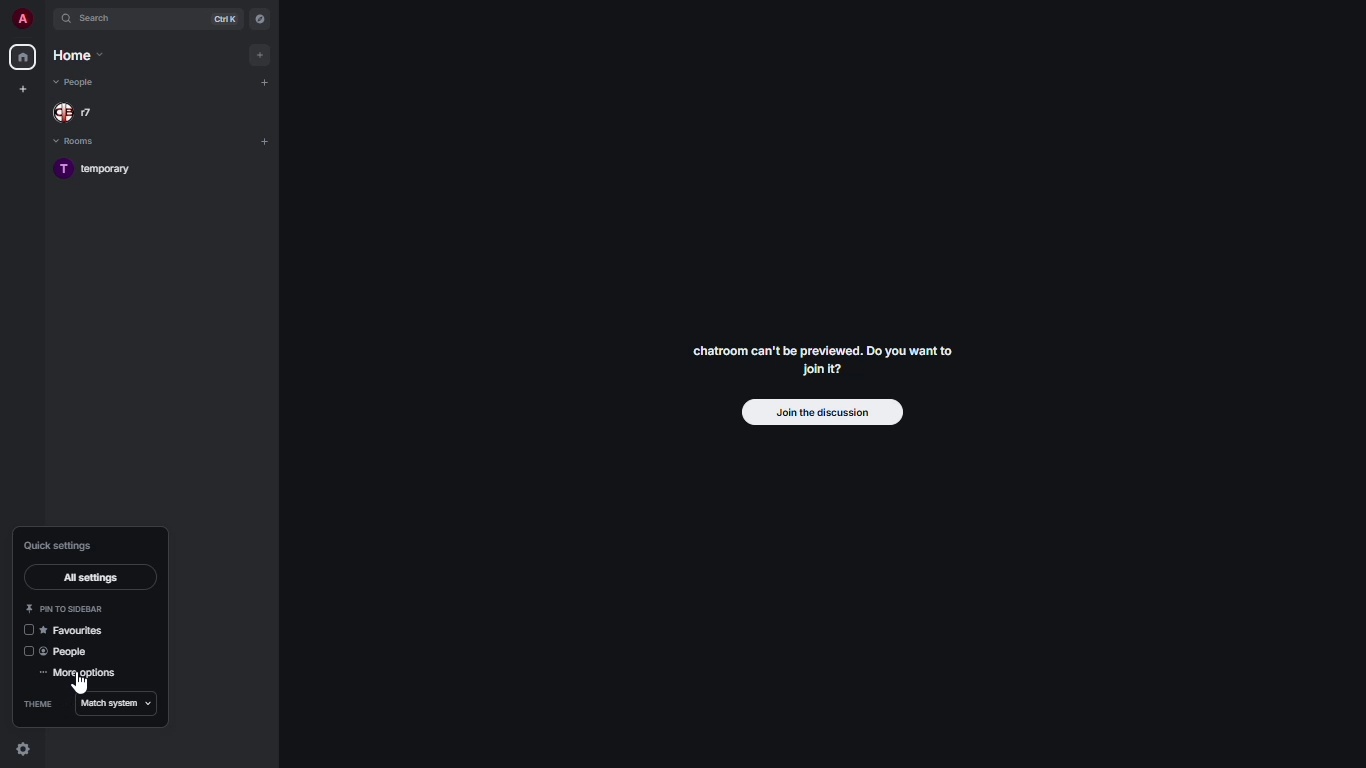 The height and width of the screenshot is (768, 1366). I want to click on cursor, so click(79, 685).